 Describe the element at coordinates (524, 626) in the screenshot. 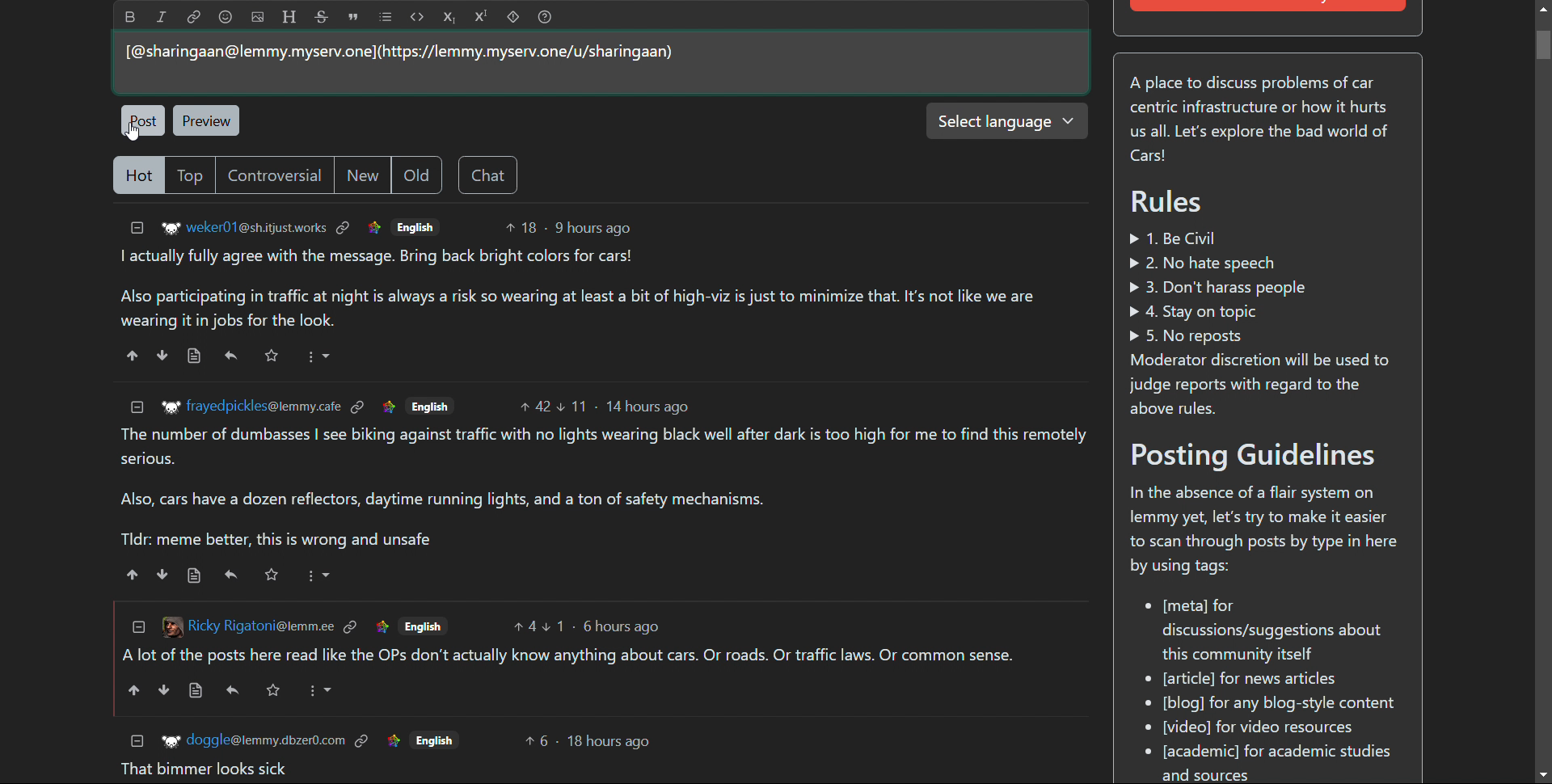

I see `upvotes 4` at that location.